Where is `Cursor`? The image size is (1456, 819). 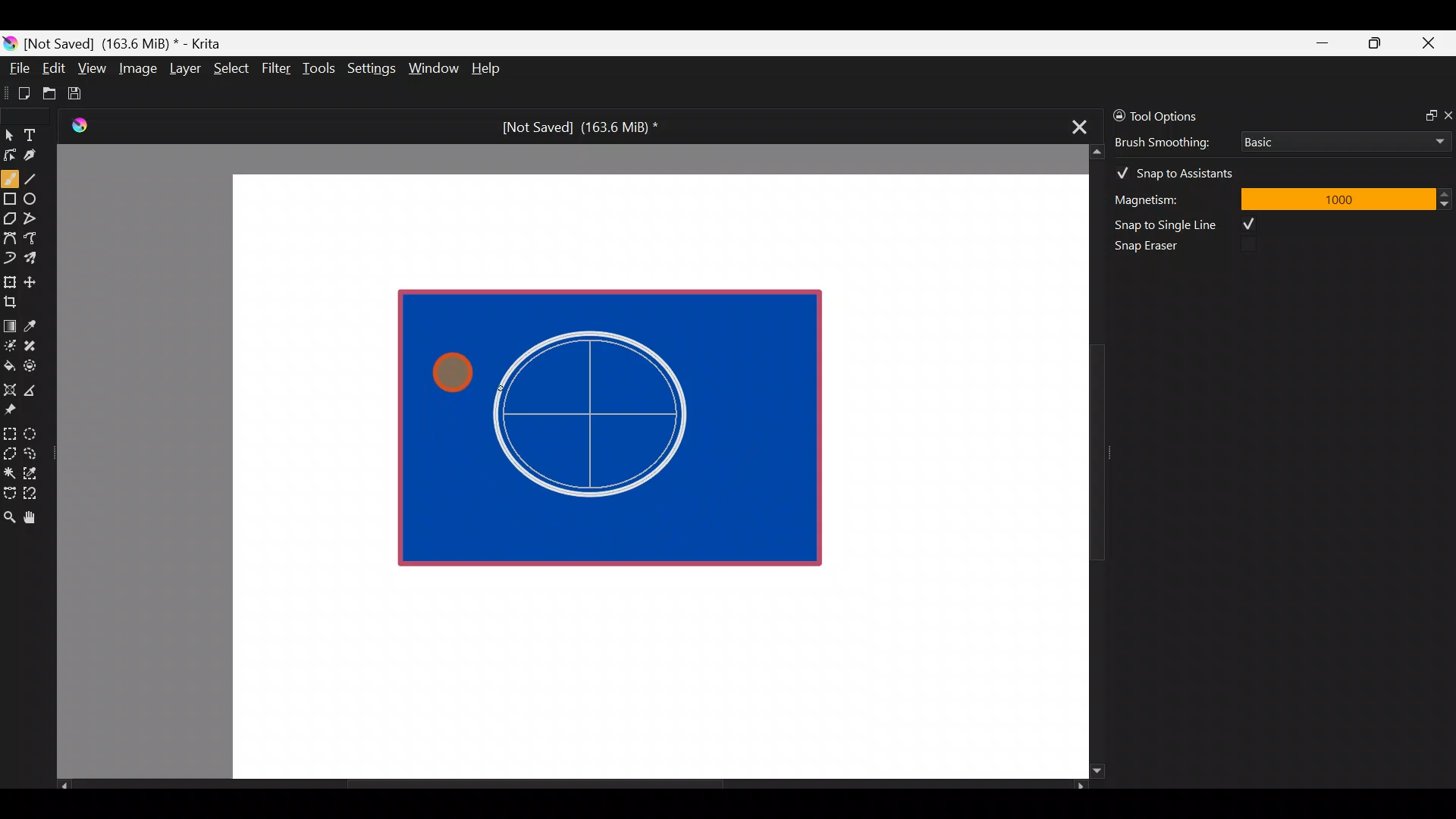
Cursor is located at coordinates (449, 366).